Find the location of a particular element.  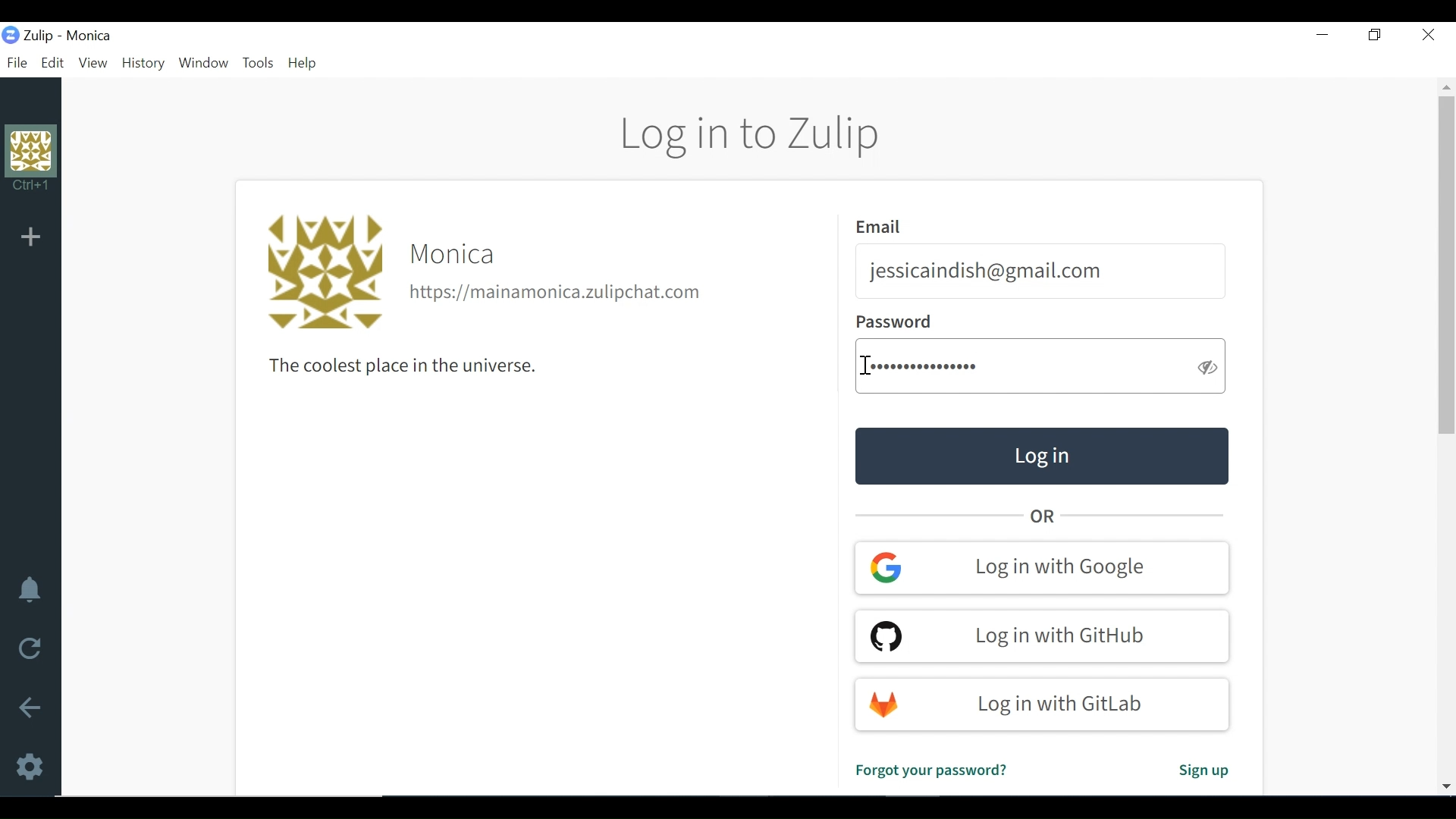

minimize is located at coordinates (1322, 35).